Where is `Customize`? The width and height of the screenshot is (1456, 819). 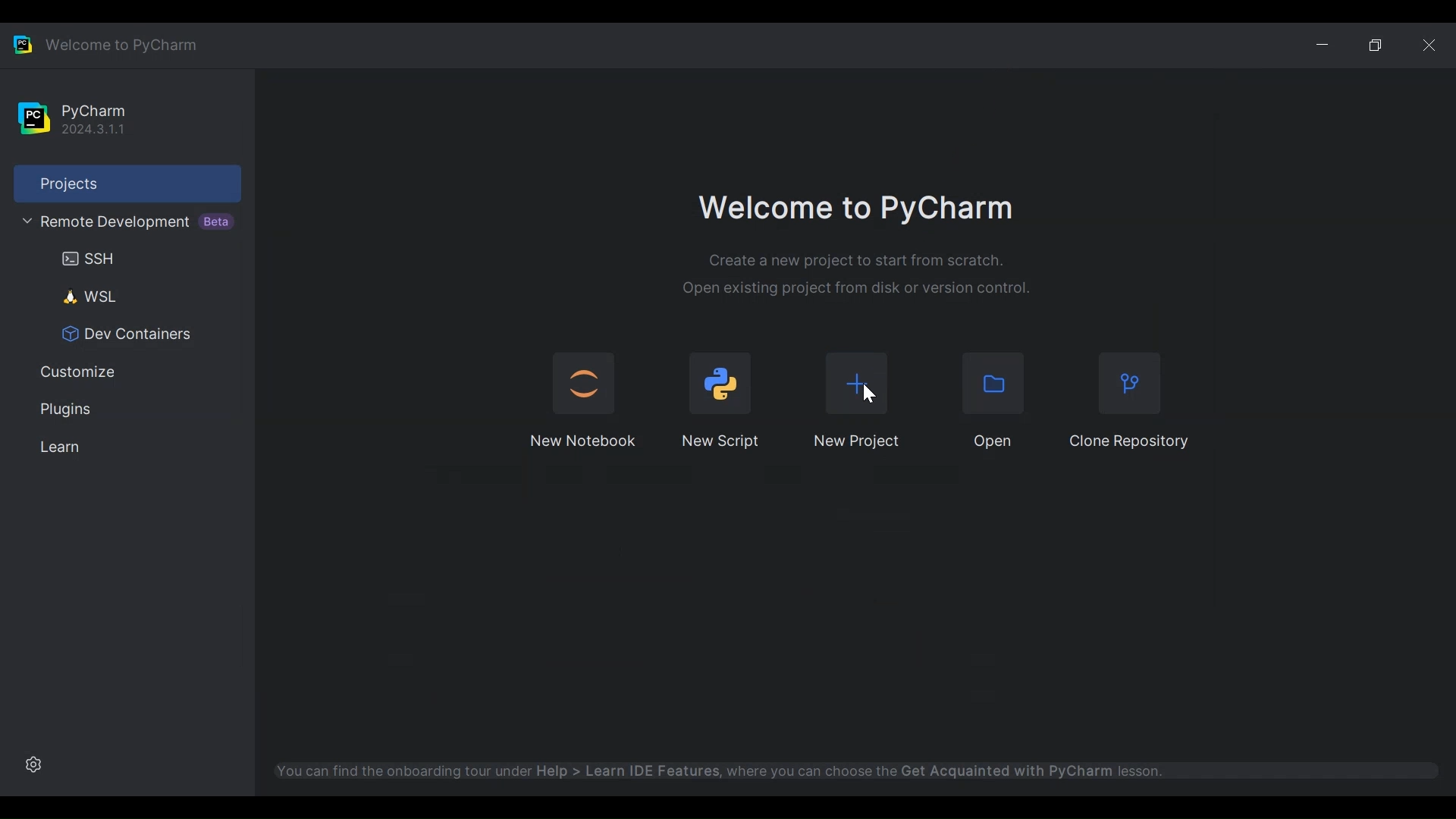 Customize is located at coordinates (74, 373).